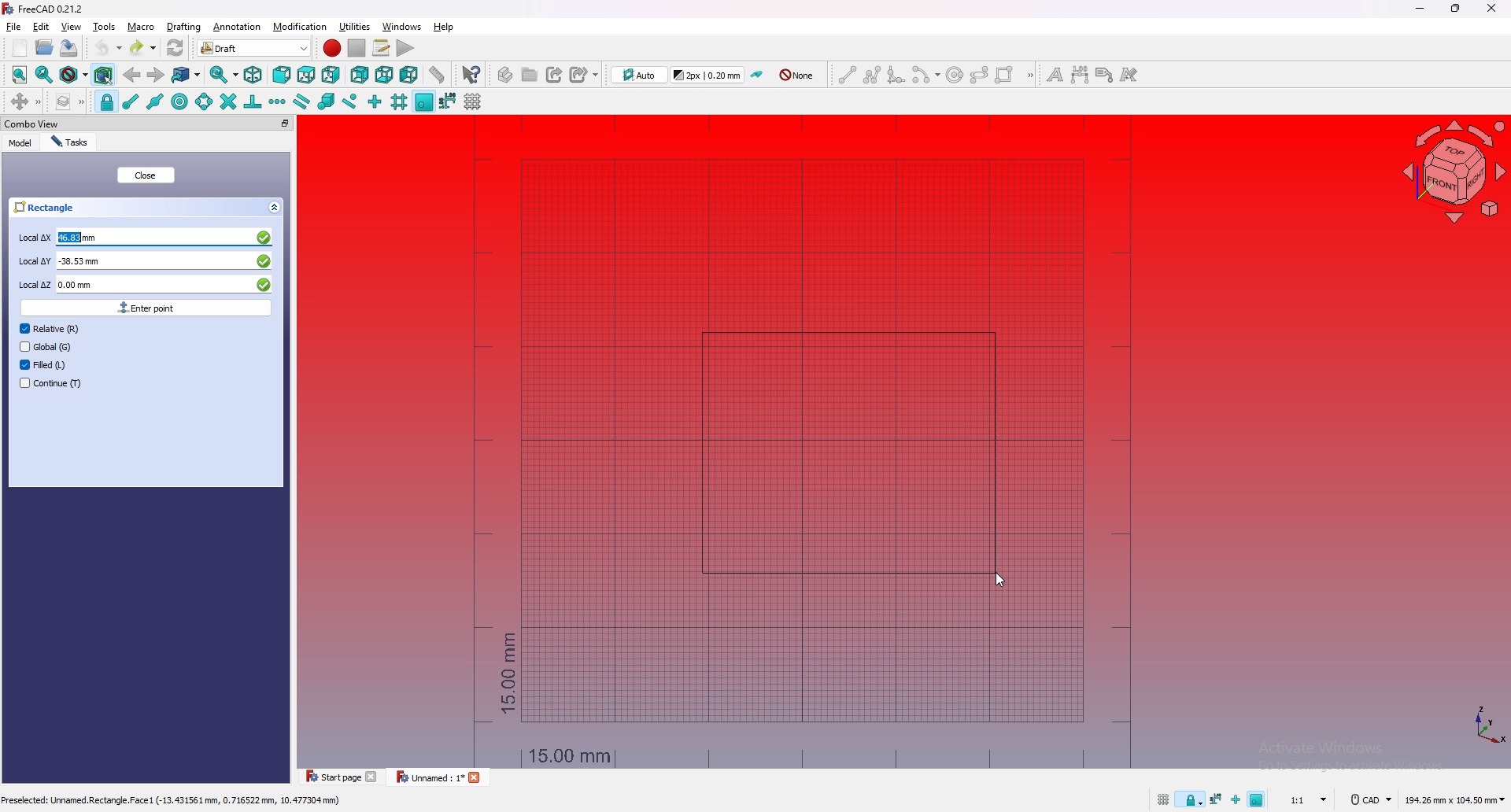 The image size is (1511, 812). Describe the element at coordinates (443, 27) in the screenshot. I see `help` at that location.